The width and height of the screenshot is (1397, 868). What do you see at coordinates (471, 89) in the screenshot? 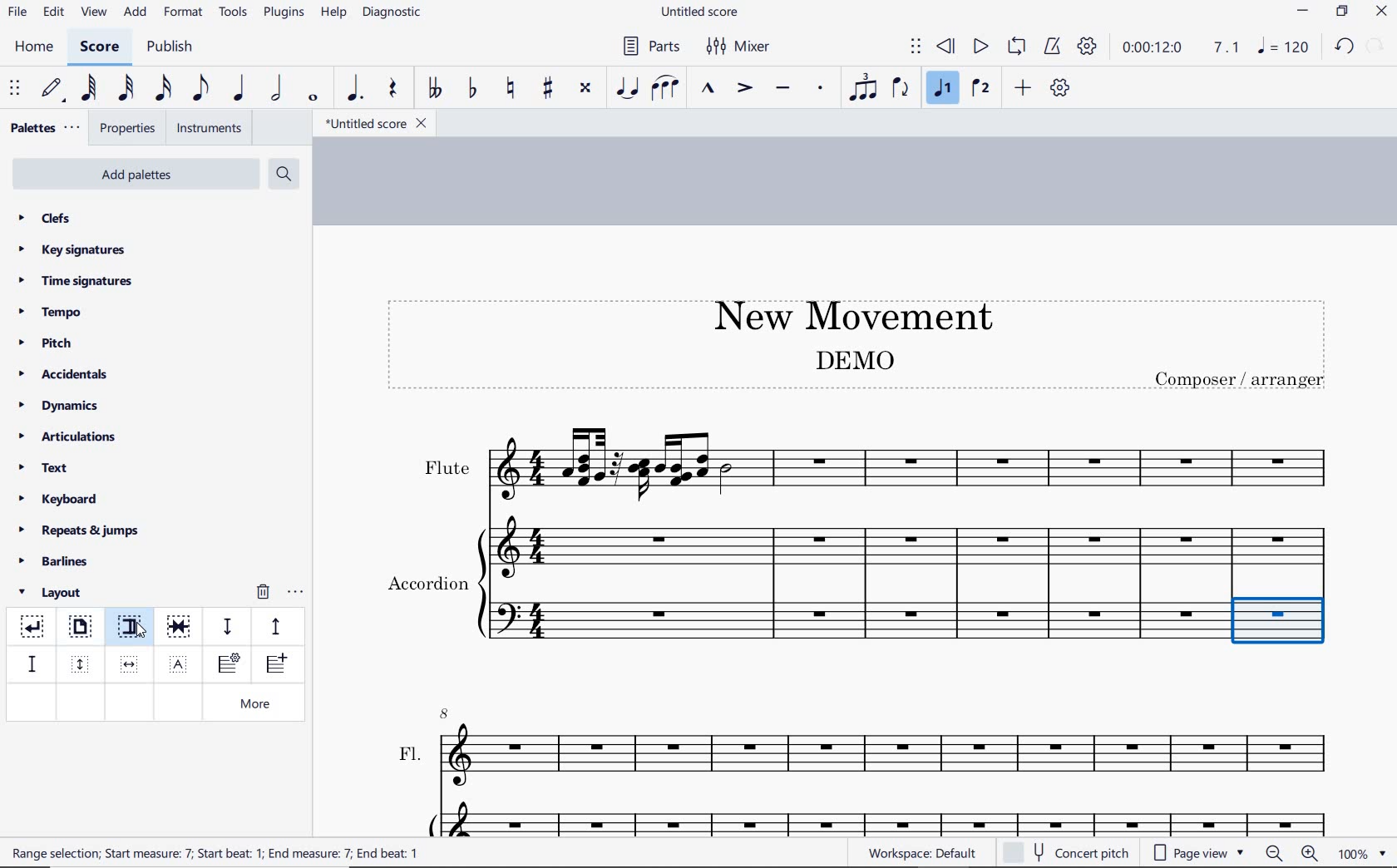
I see `toggle flat` at bounding box center [471, 89].